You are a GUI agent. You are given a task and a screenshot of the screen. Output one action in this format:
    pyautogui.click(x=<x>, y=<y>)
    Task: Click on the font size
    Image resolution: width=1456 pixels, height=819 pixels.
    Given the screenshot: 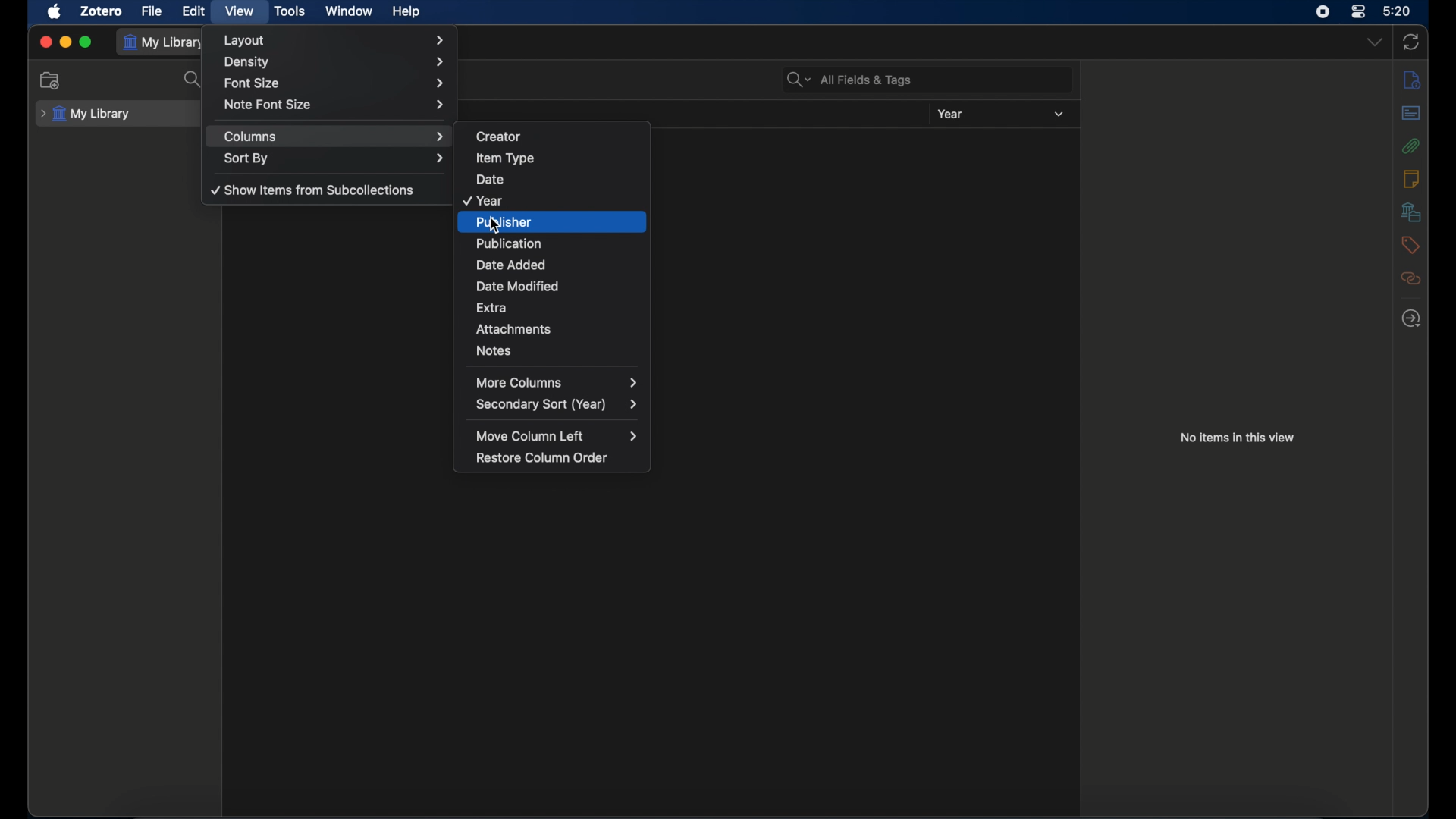 What is the action you would take?
    pyautogui.click(x=335, y=82)
    